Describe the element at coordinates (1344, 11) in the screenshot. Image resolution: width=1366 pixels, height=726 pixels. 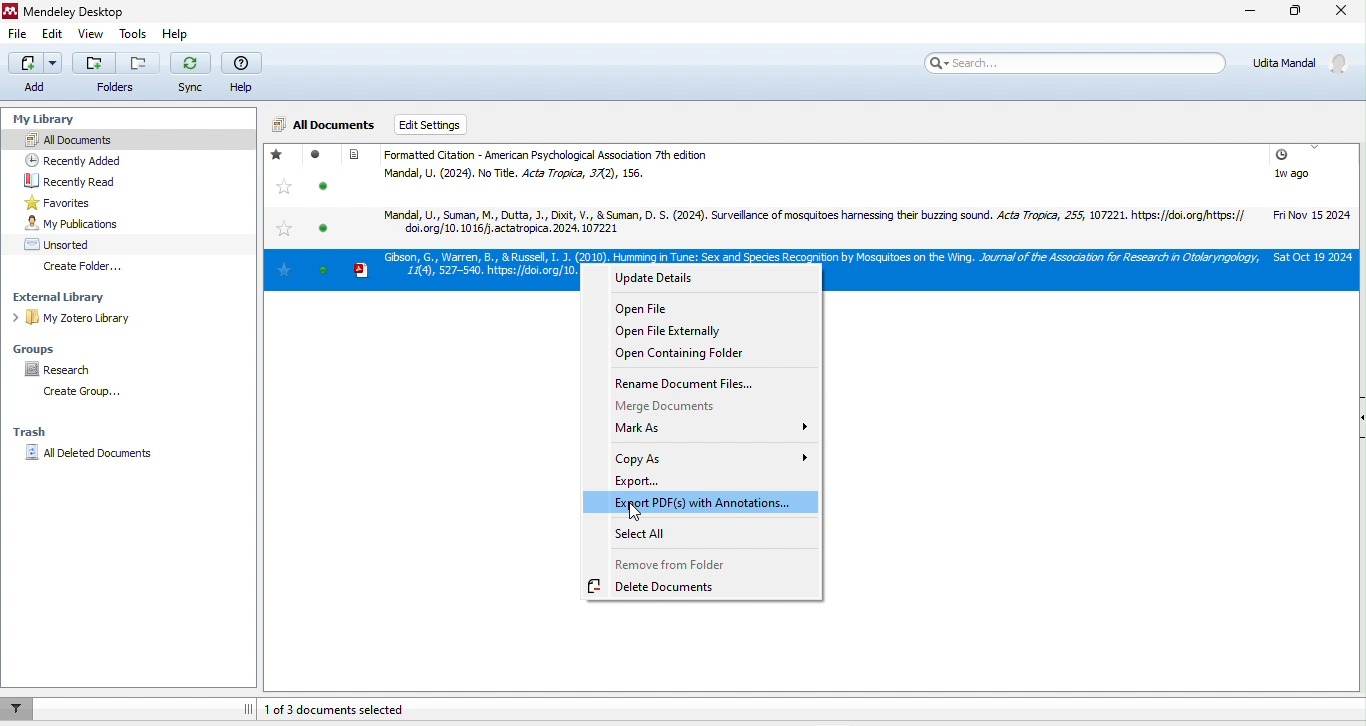
I see `close` at that location.